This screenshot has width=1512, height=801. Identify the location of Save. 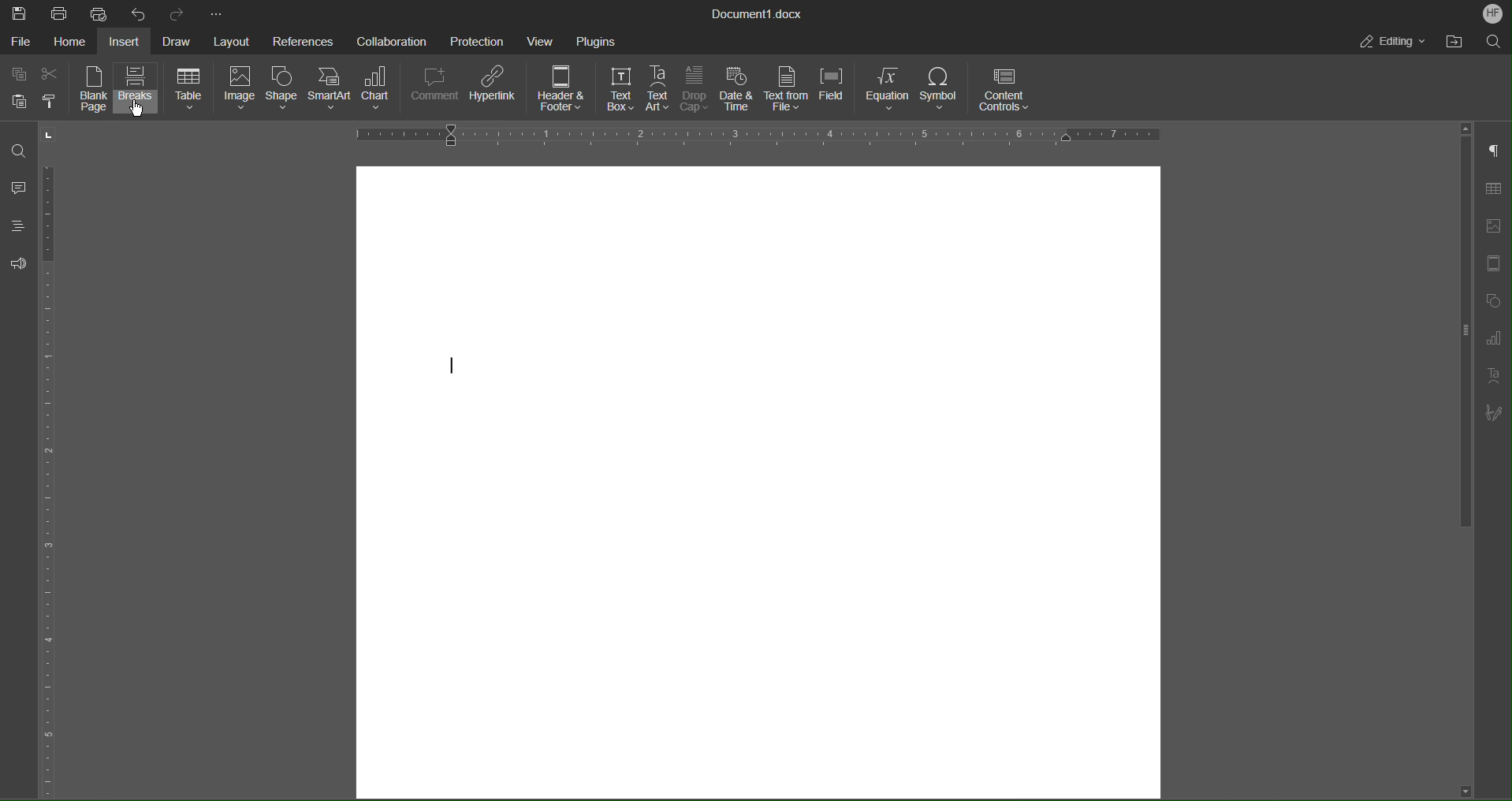
(18, 12).